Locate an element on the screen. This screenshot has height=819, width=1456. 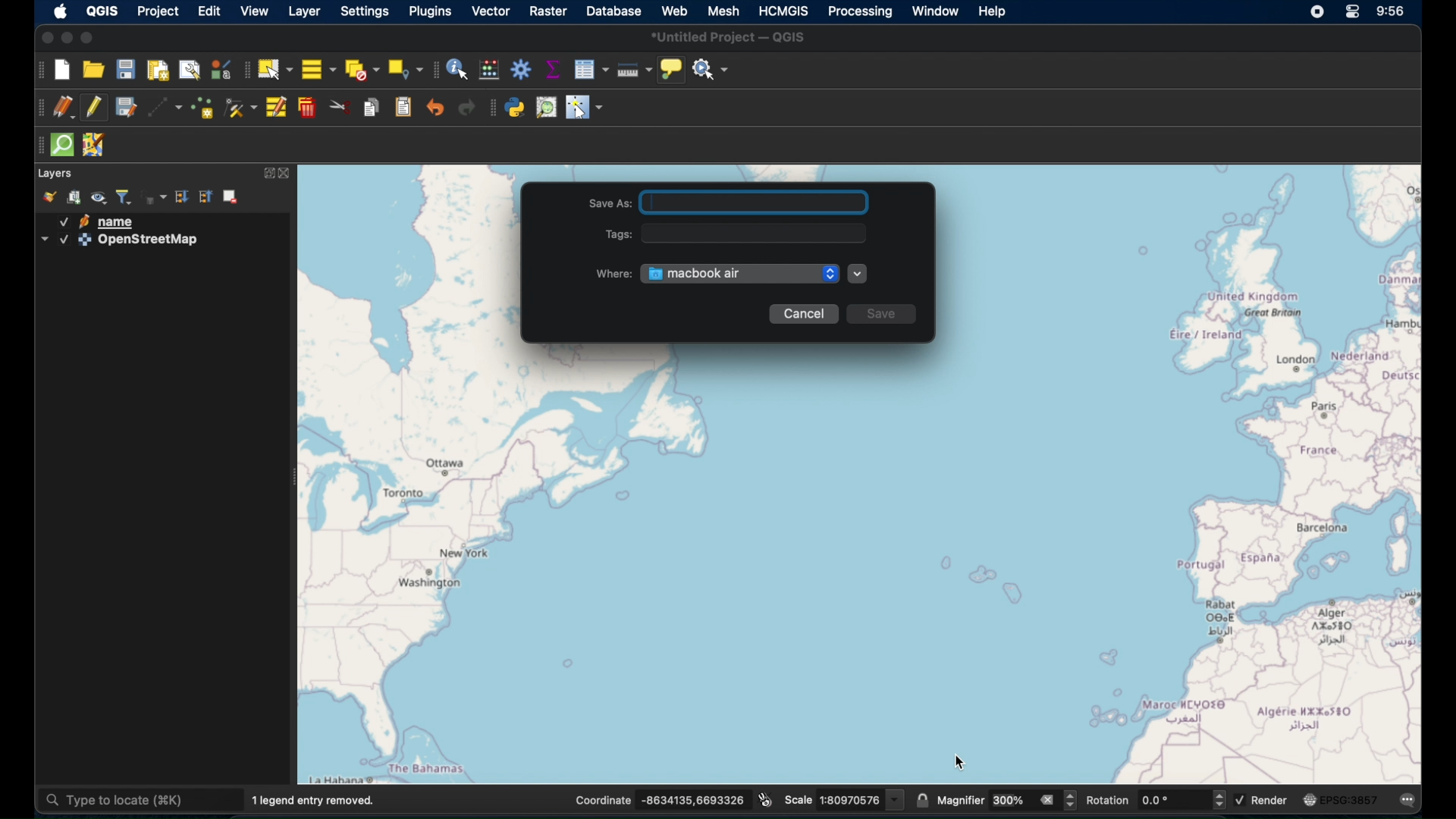
switches cursor to configurable pointer is located at coordinates (586, 109).